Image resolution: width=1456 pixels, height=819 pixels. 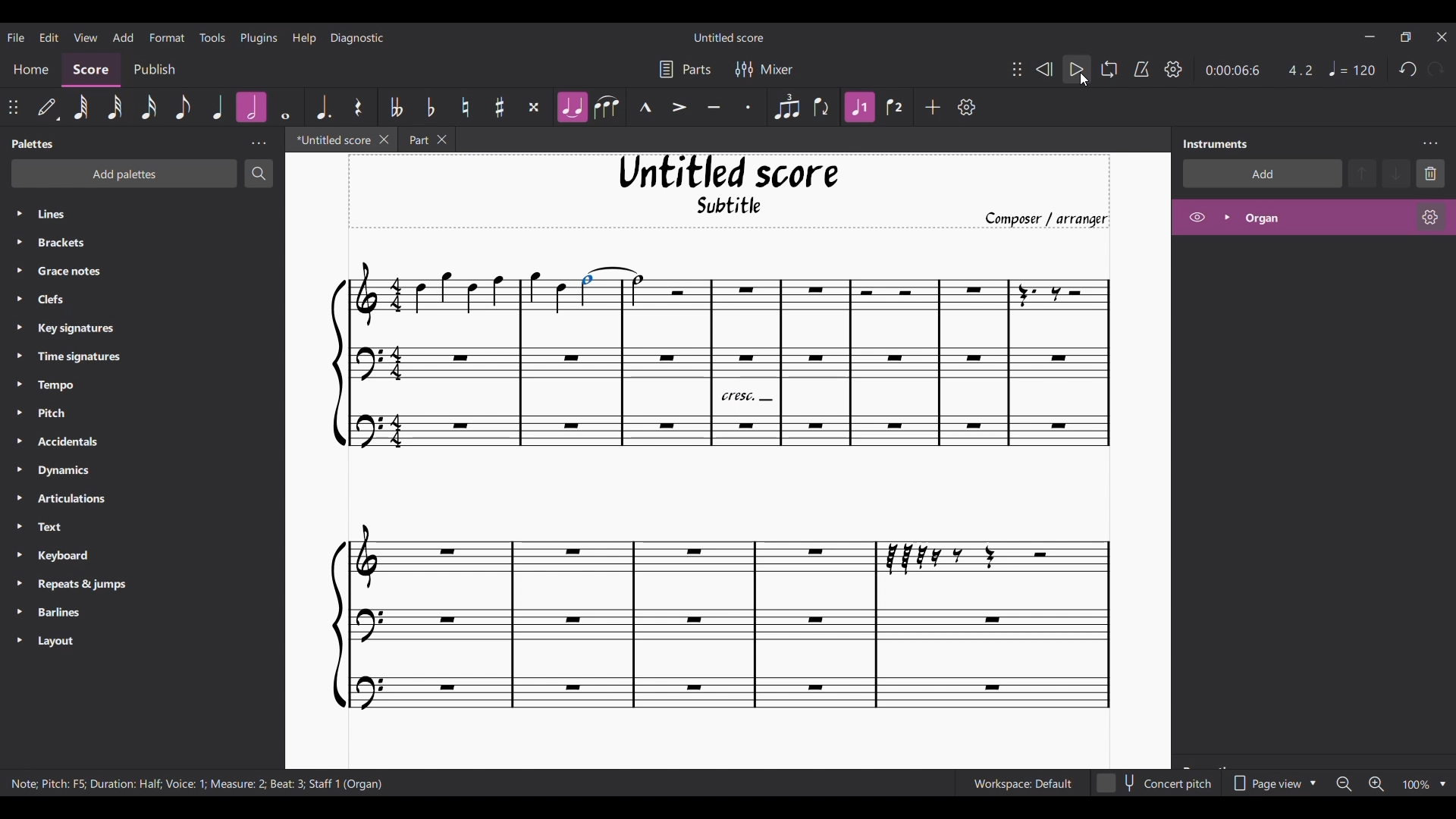 I want to click on Format menu, so click(x=168, y=36).